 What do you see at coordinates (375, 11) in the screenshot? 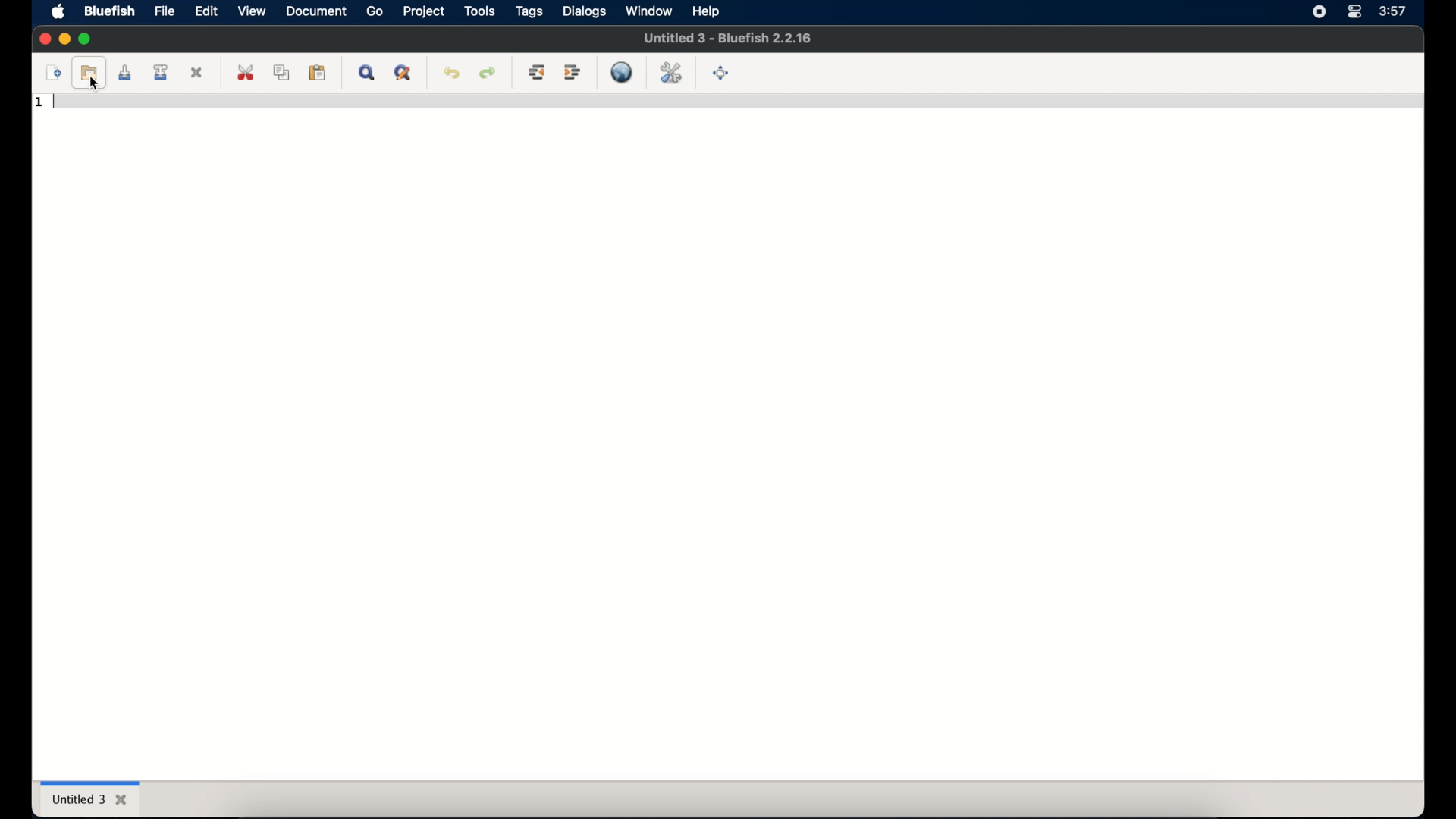
I see `go` at bounding box center [375, 11].